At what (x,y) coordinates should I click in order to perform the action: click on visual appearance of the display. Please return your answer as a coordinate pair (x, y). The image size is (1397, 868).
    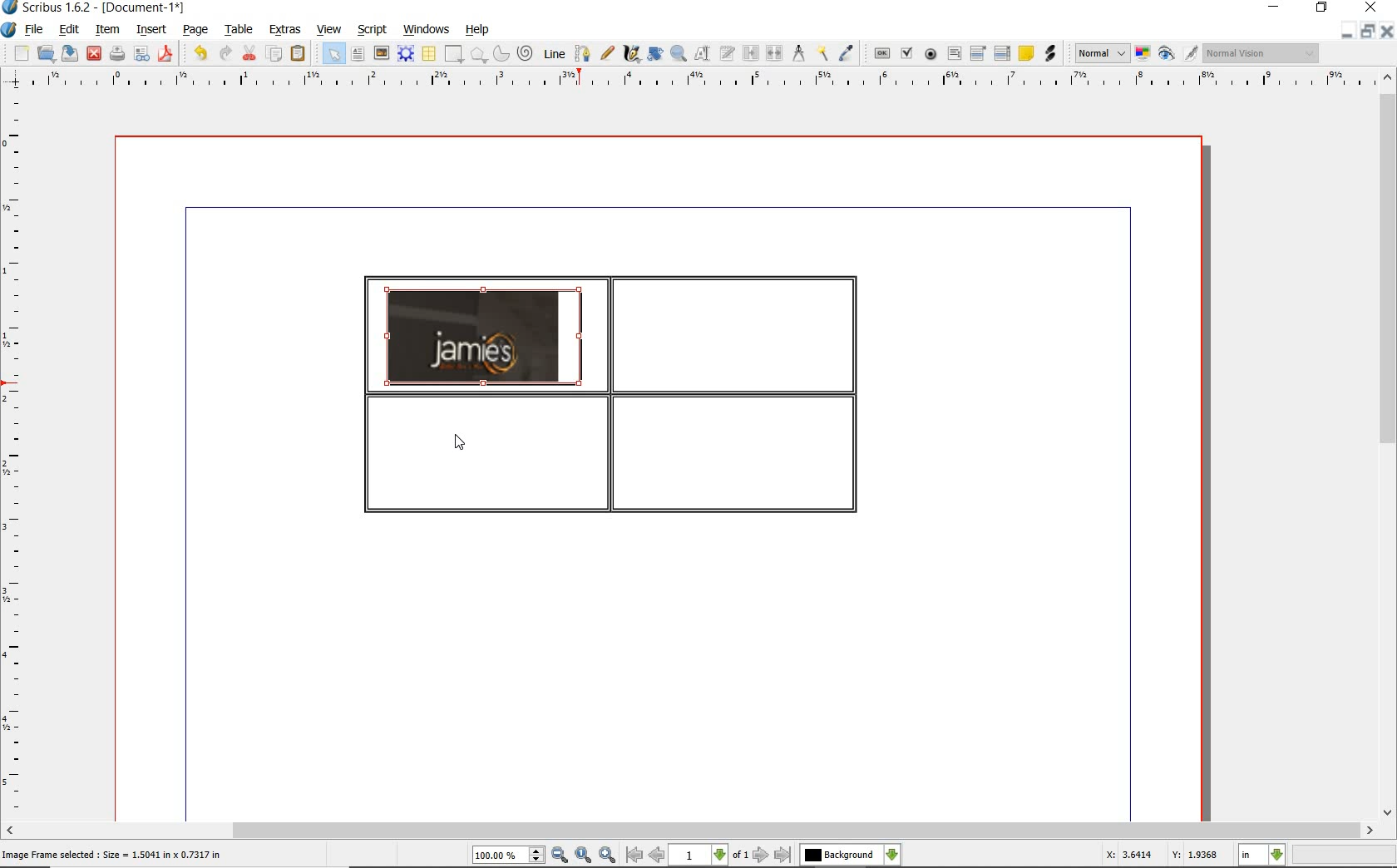
    Looking at the image, I should click on (1259, 53).